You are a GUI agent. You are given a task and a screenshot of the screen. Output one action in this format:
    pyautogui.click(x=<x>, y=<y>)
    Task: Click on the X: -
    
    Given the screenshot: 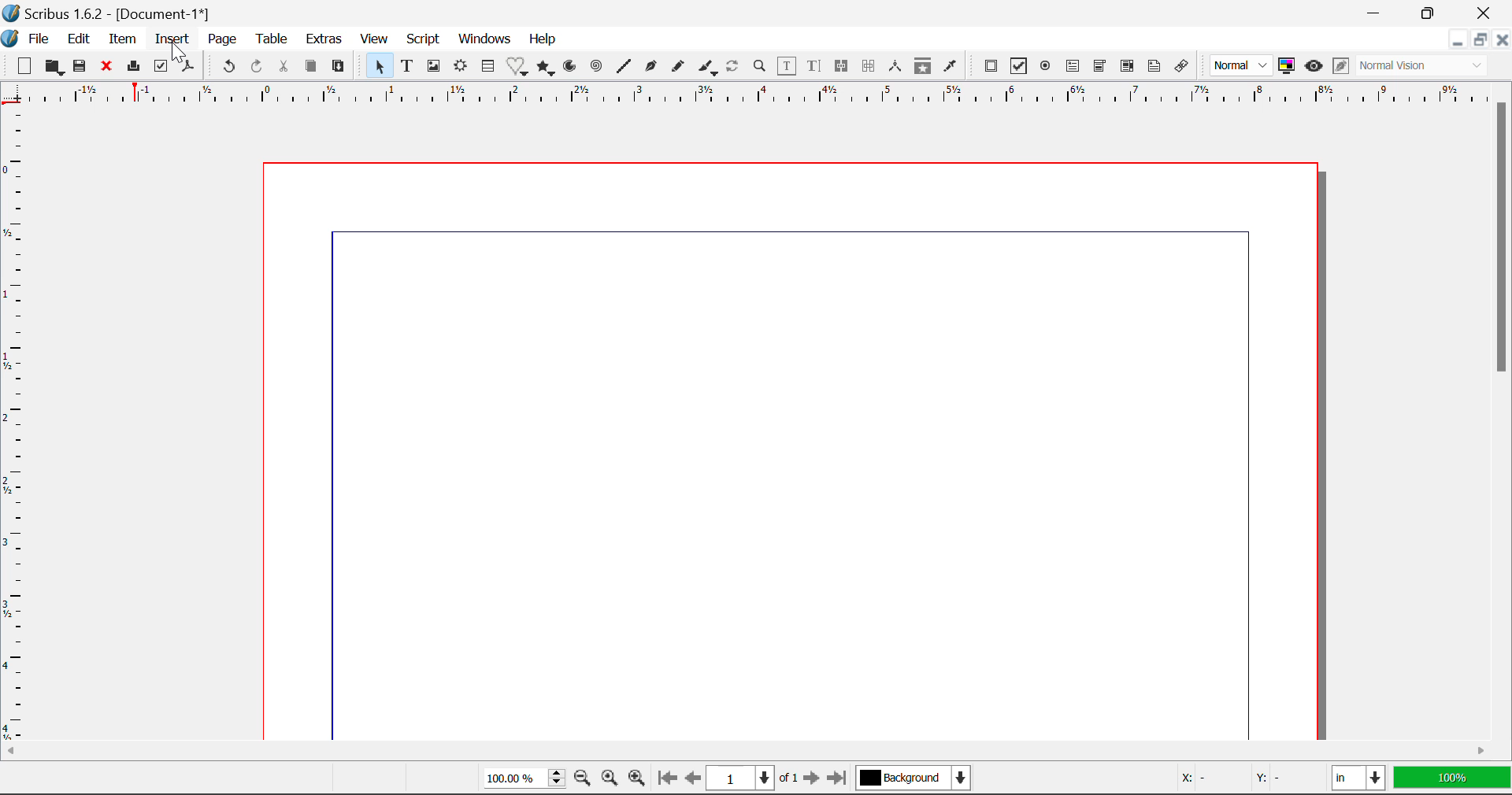 What is the action you would take?
    pyautogui.click(x=1208, y=775)
    